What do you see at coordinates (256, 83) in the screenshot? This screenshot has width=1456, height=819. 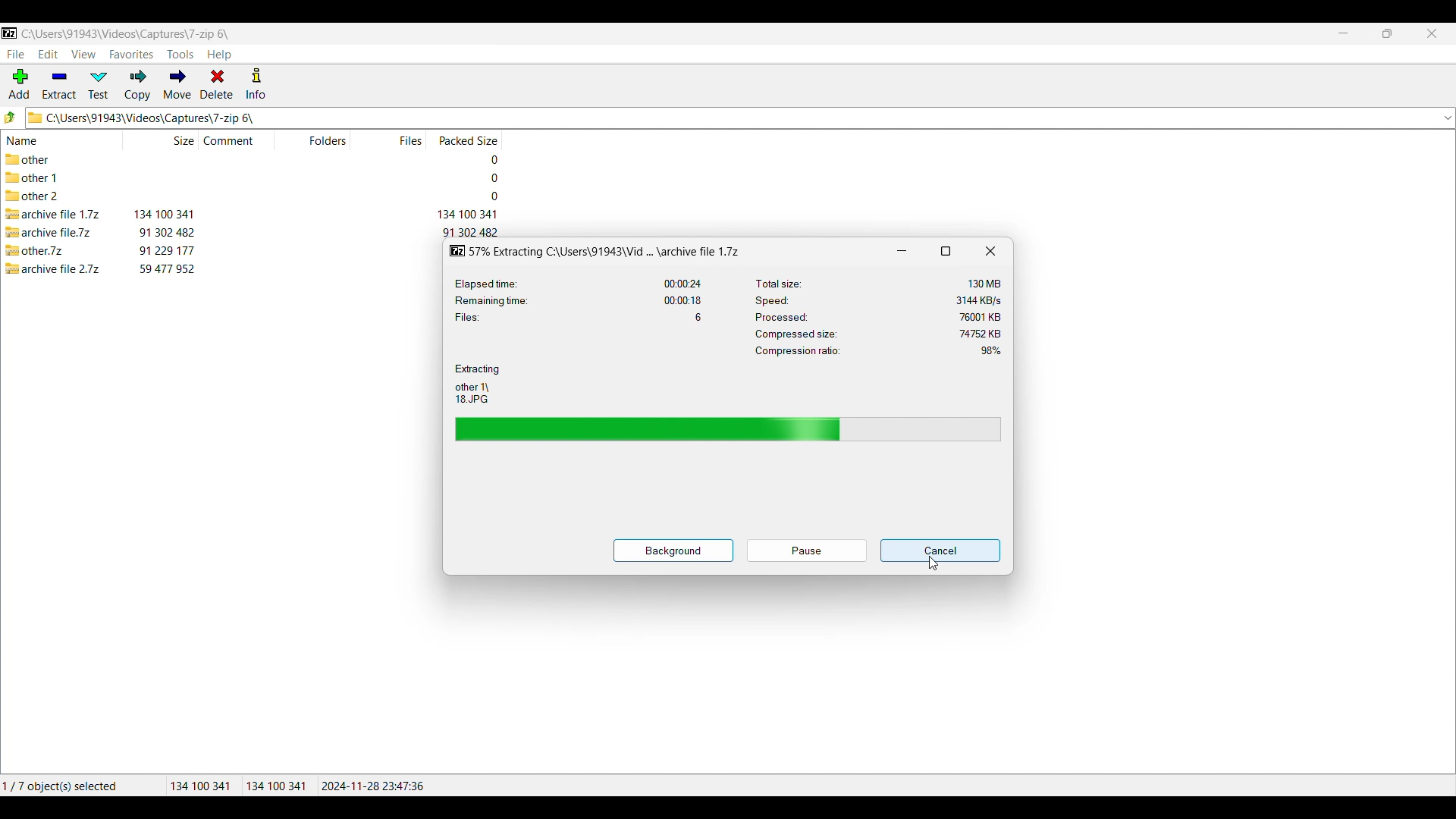 I see `Info` at bounding box center [256, 83].